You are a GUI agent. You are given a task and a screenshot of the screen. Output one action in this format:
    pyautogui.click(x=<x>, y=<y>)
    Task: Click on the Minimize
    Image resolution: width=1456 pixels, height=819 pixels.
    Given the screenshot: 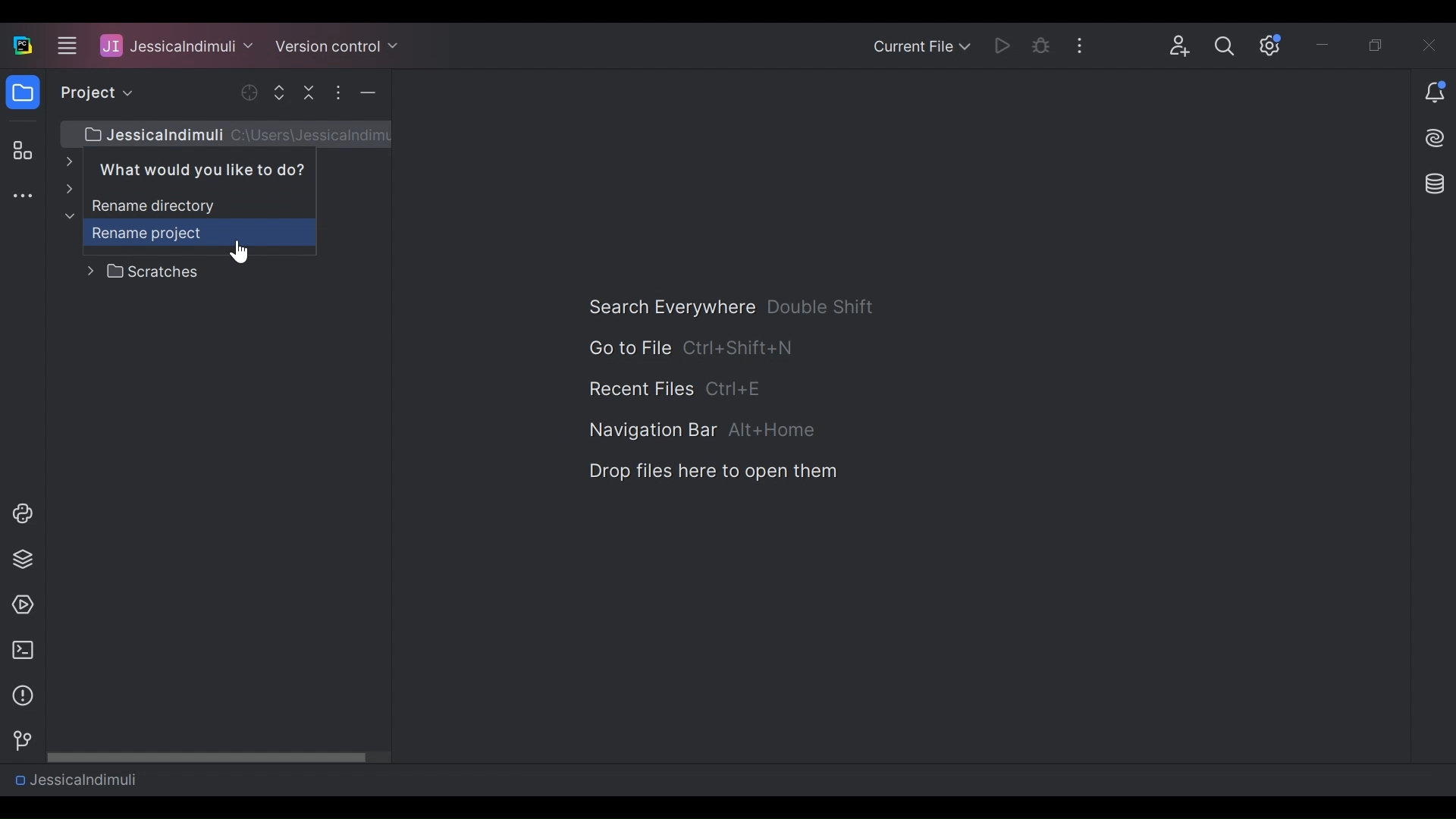 What is the action you would take?
    pyautogui.click(x=1326, y=47)
    